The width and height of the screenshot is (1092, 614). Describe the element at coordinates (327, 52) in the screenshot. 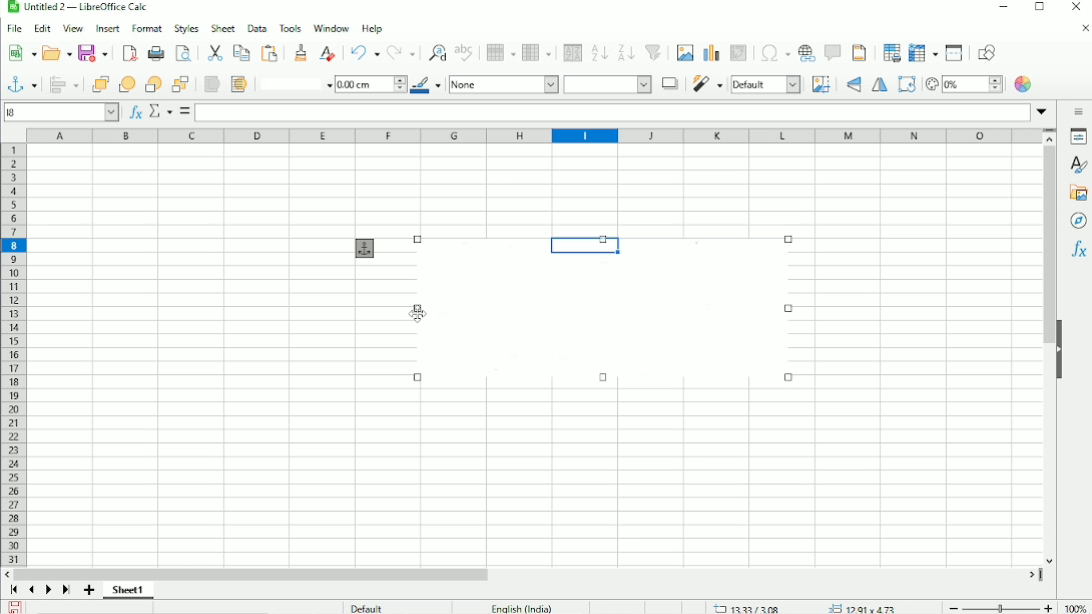

I see `Clear direct formatting` at that location.